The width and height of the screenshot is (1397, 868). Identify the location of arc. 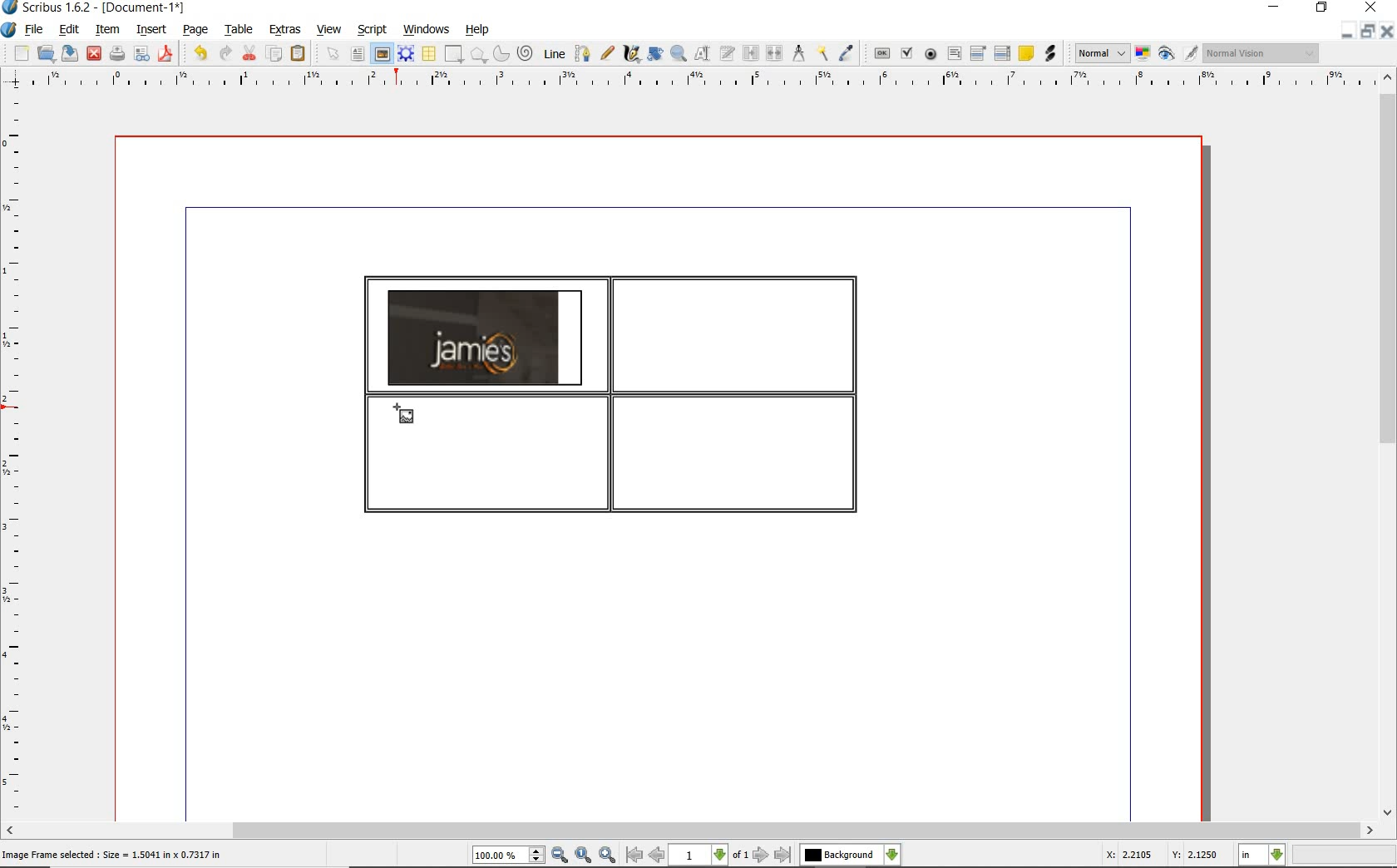
(503, 55).